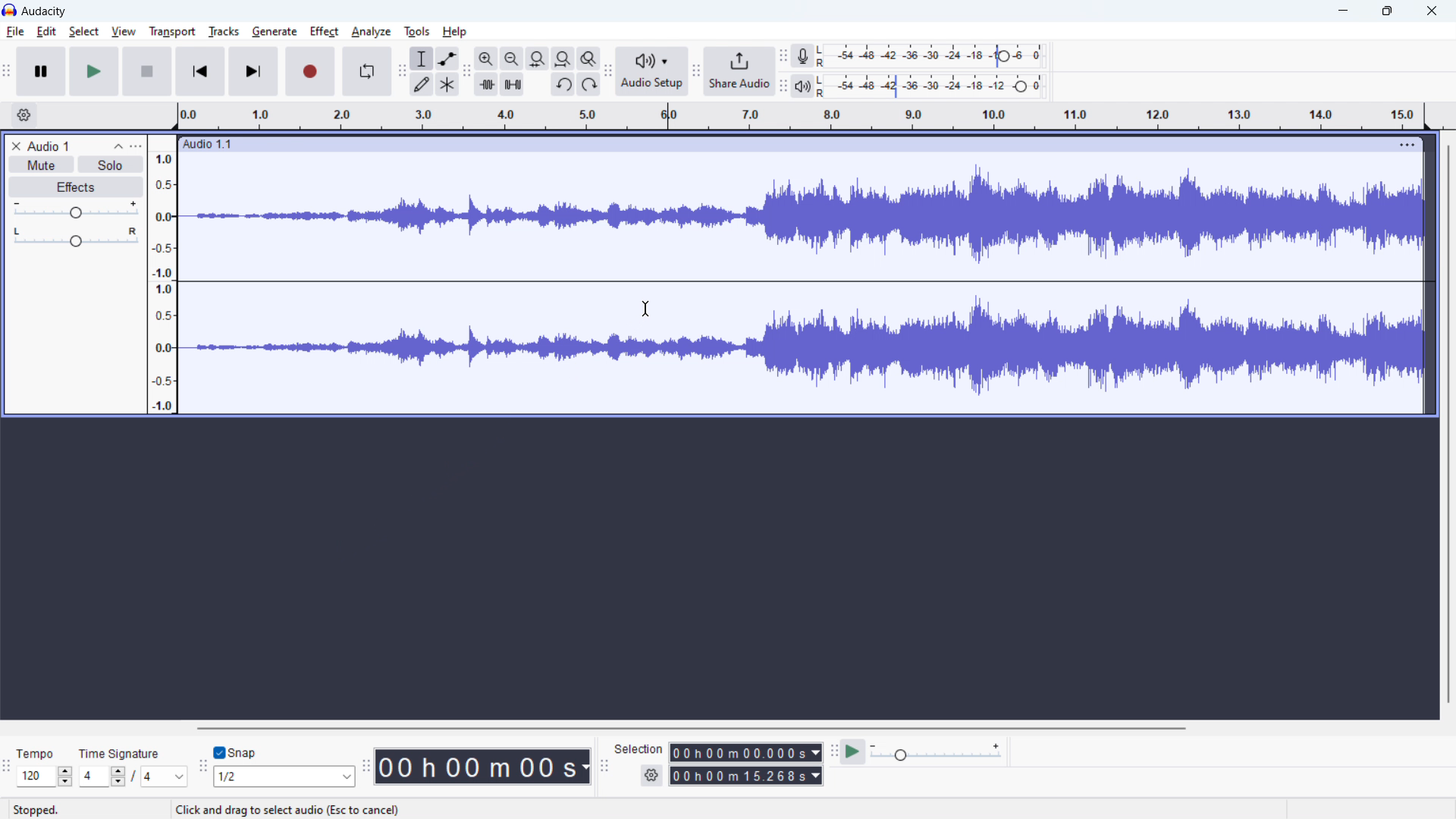 This screenshot has height=819, width=1456. Describe the element at coordinates (563, 84) in the screenshot. I see `undo` at that location.